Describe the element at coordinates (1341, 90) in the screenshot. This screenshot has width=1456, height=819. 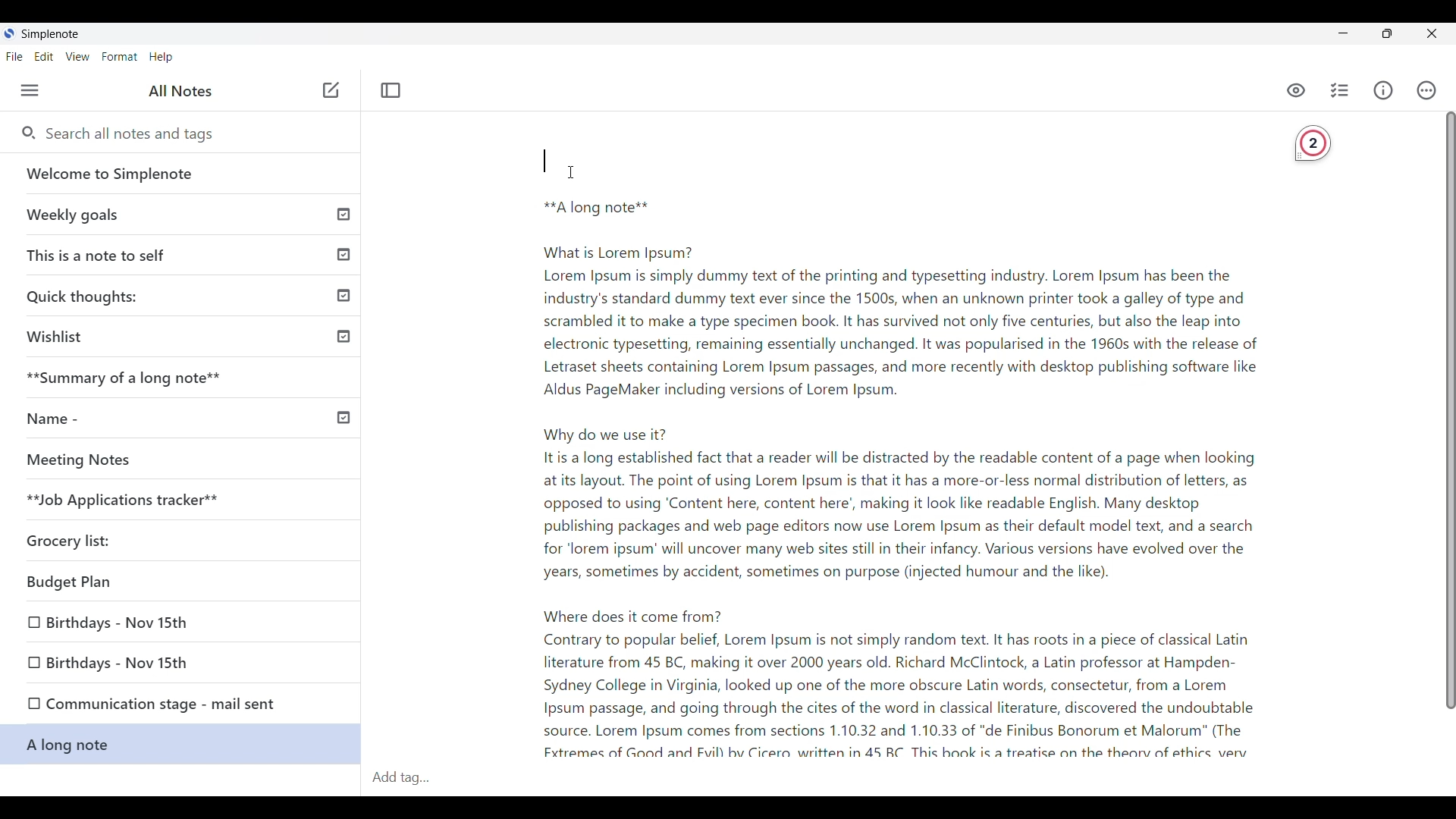
I see `Insert checklist` at that location.